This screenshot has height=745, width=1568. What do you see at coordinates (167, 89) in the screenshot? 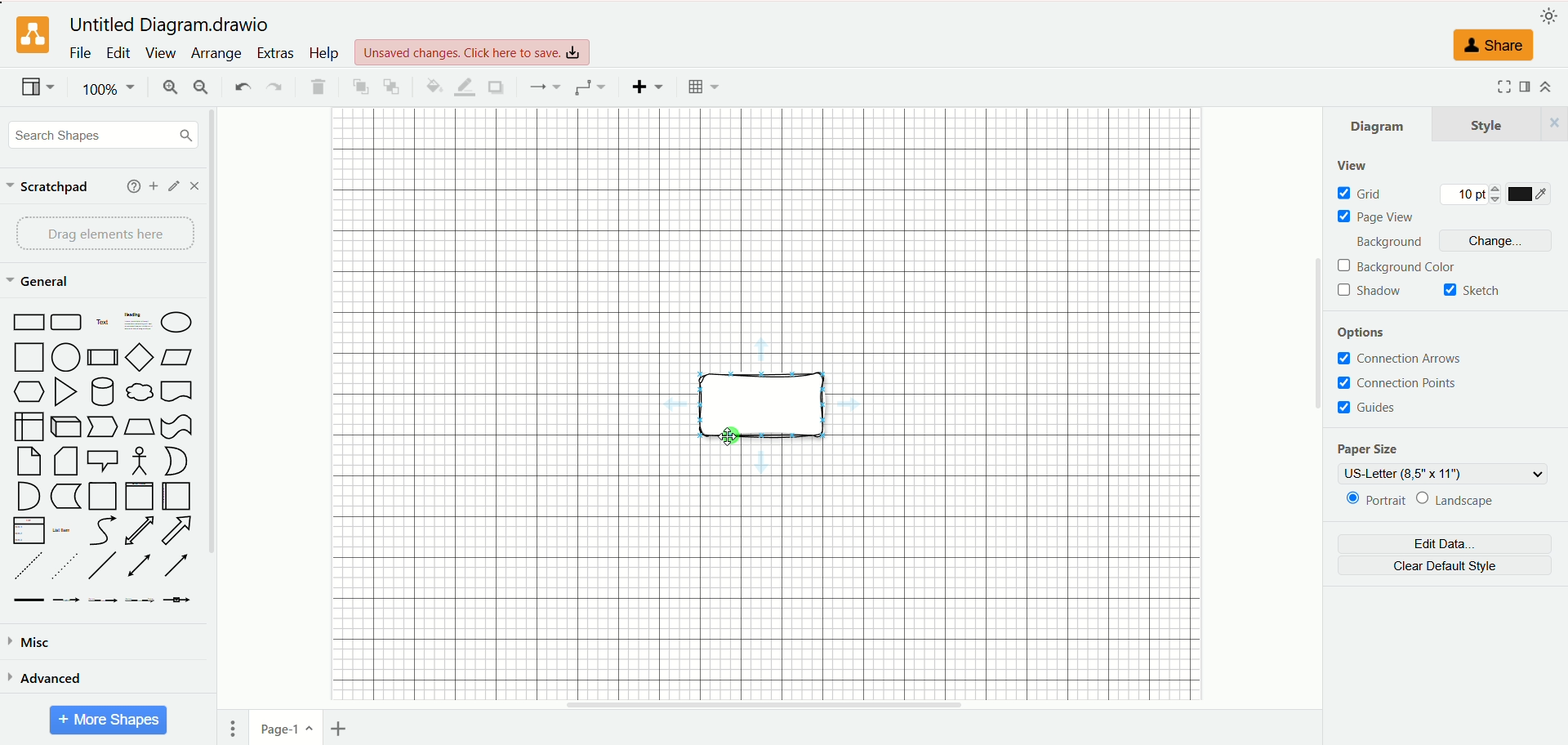
I see `zoom in` at bounding box center [167, 89].